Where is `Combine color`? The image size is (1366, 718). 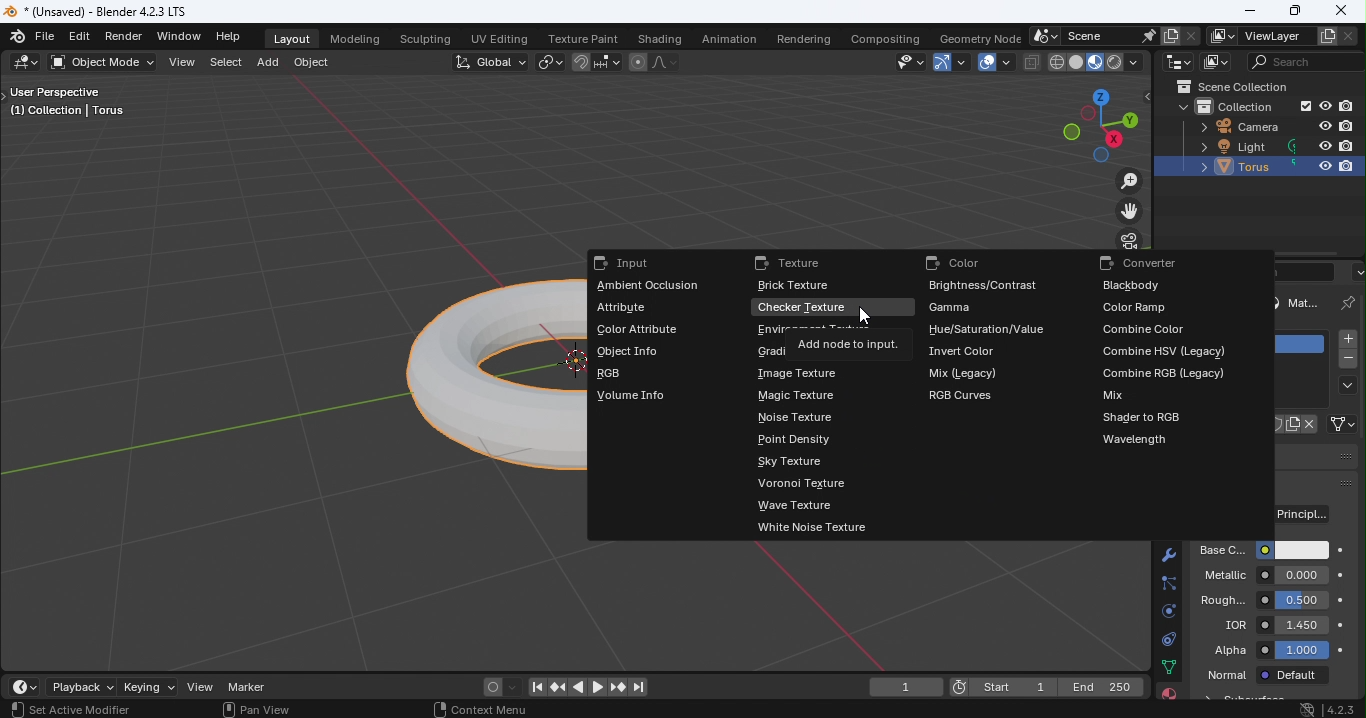
Combine color is located at coordinates (1137, 328).